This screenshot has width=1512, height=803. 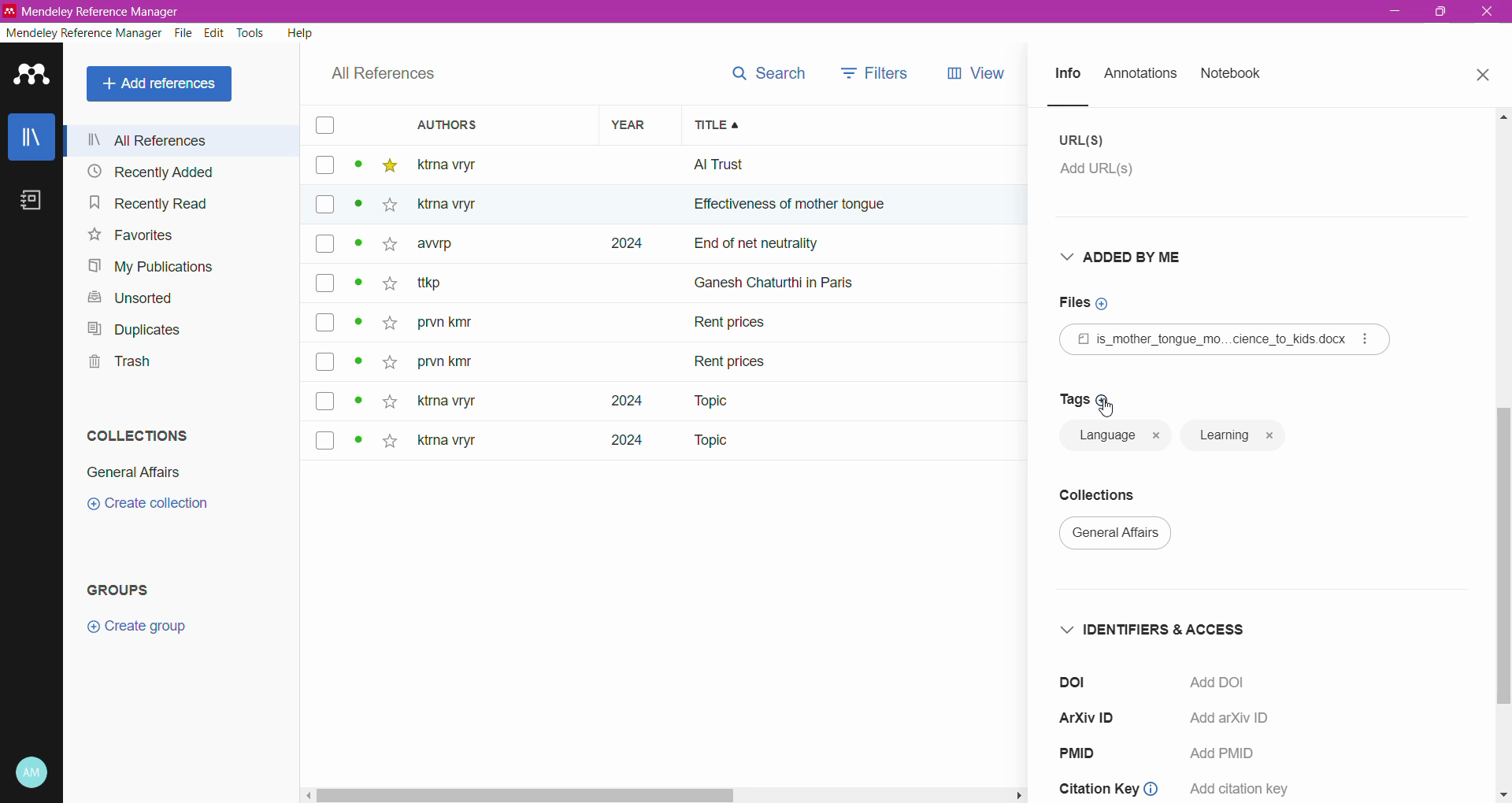 What do you see at coordinates (987, 73) in the screenshot?
I see `views ` at bounding box center [987, 73].